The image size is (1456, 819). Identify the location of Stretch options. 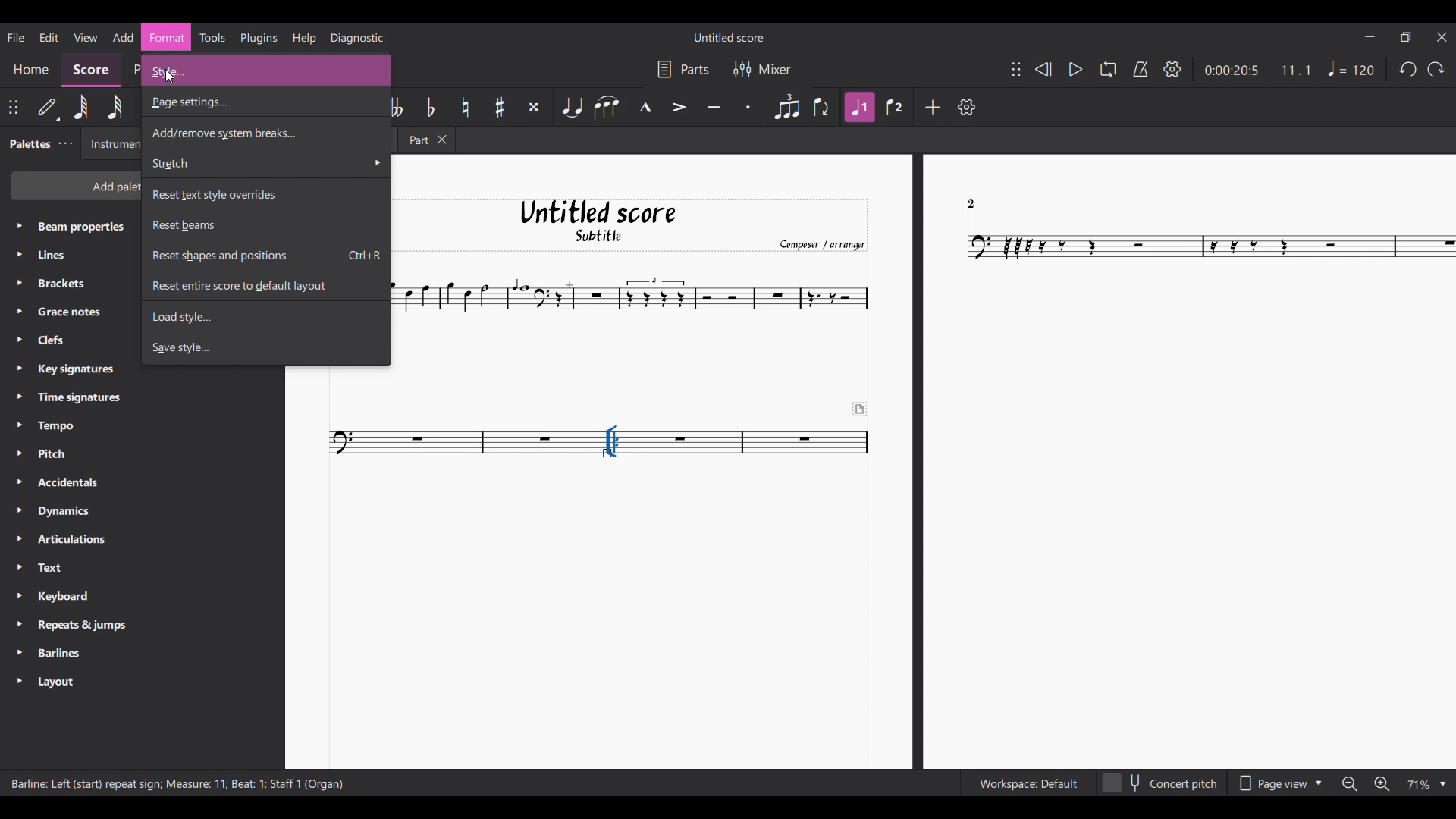
(266, 163).